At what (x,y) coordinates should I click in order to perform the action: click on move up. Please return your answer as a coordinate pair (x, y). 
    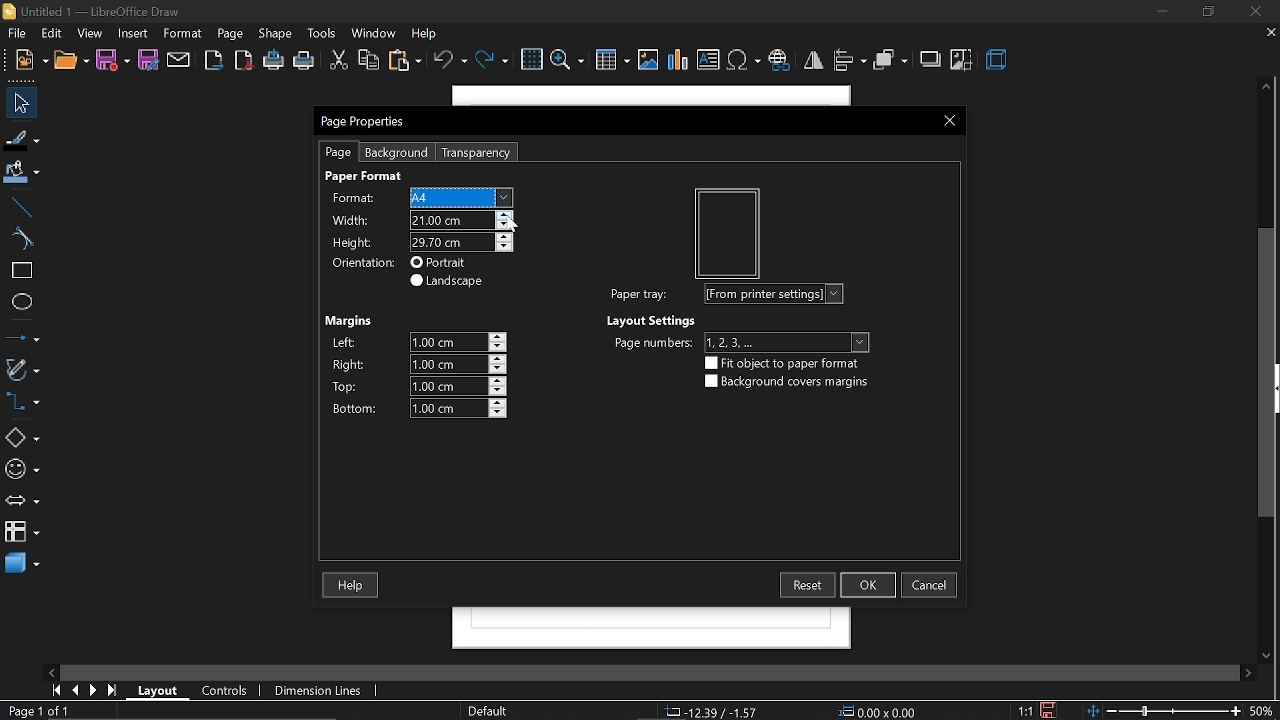
    Looking at the image, I should click on (1266, 85).